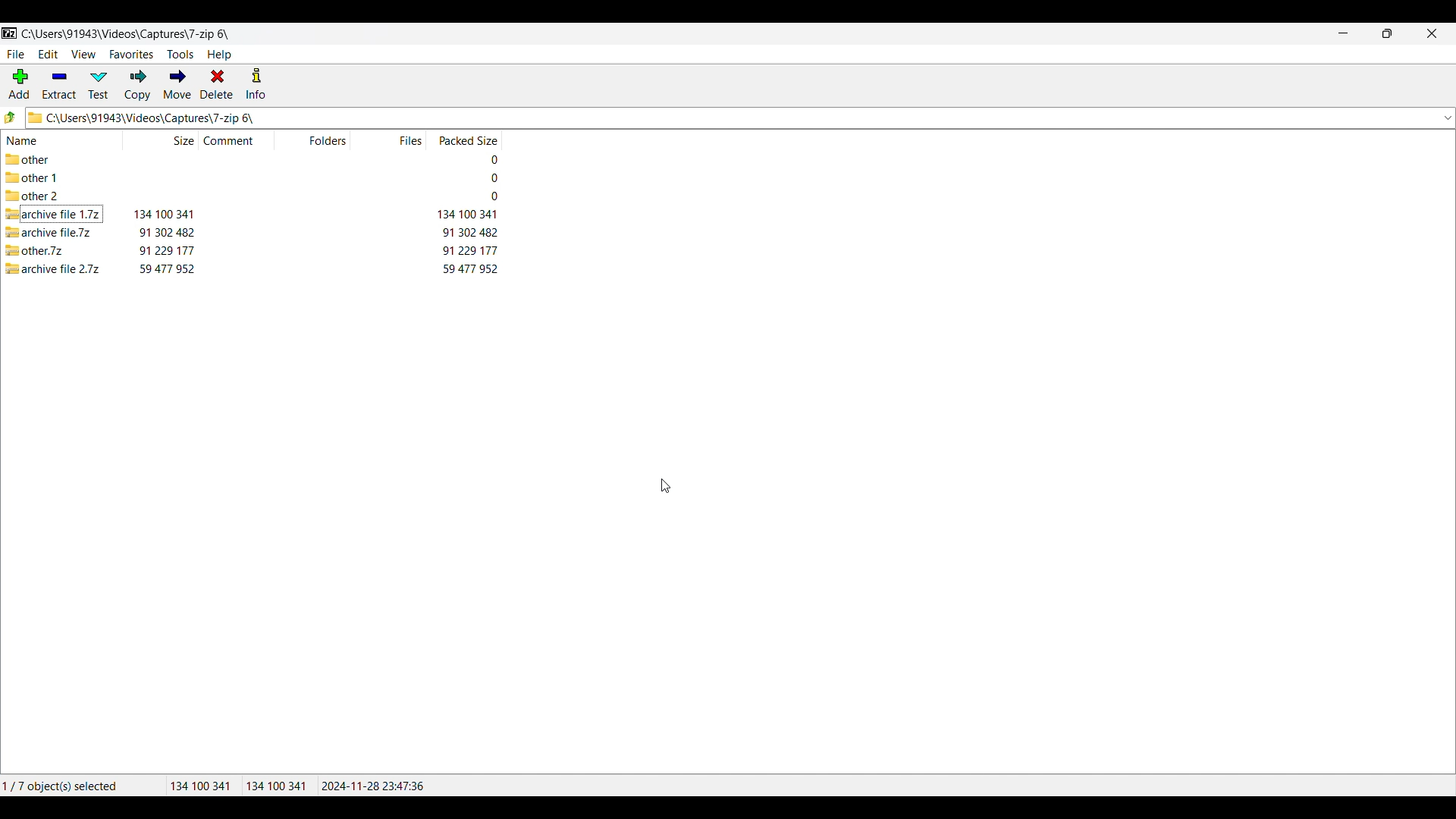 Image resolution: width=1456 pixels, height=819 pixels. I want to click on Info, so click(256, 83).